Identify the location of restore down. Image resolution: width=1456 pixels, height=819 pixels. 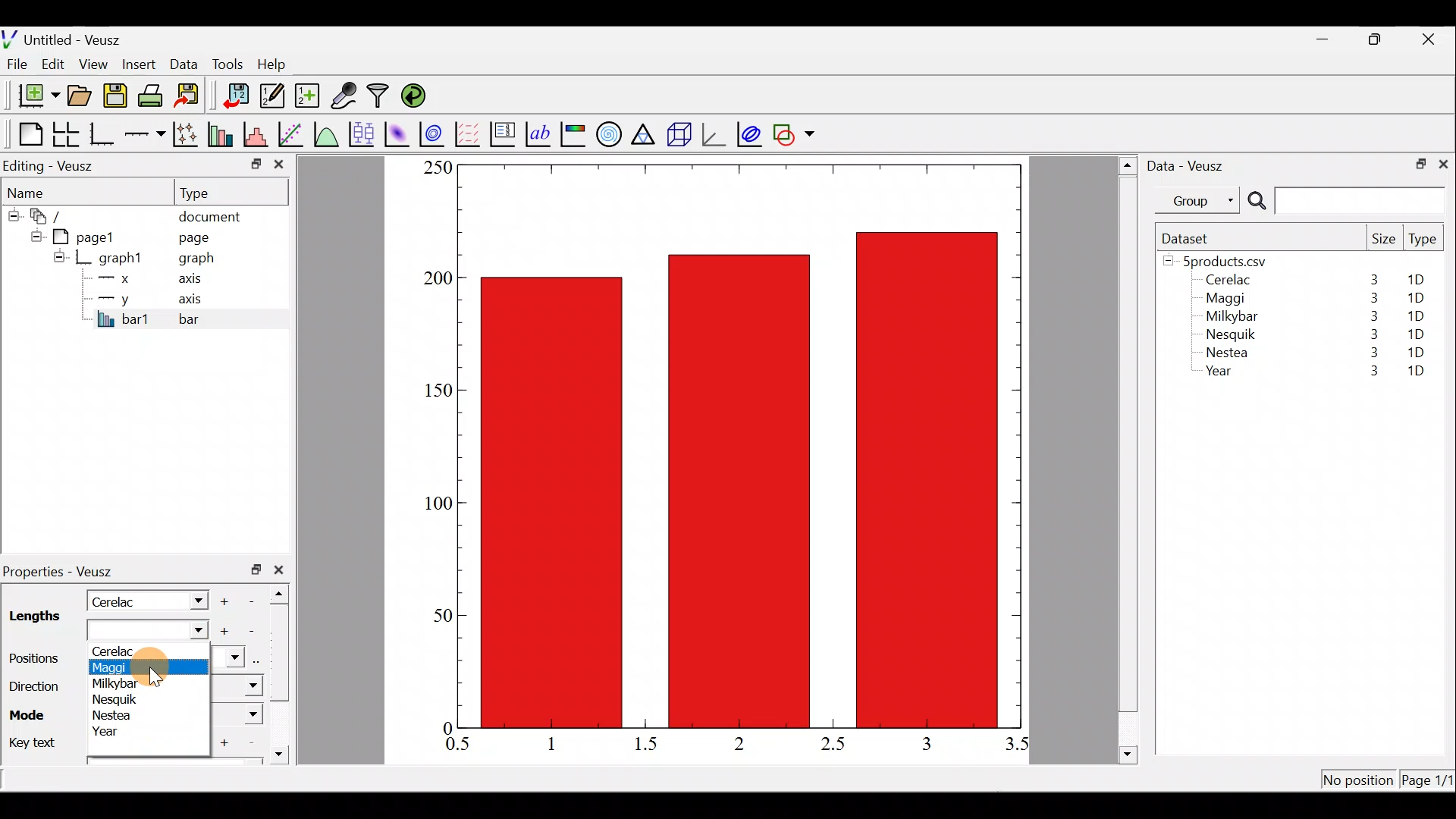
(1416, 162).